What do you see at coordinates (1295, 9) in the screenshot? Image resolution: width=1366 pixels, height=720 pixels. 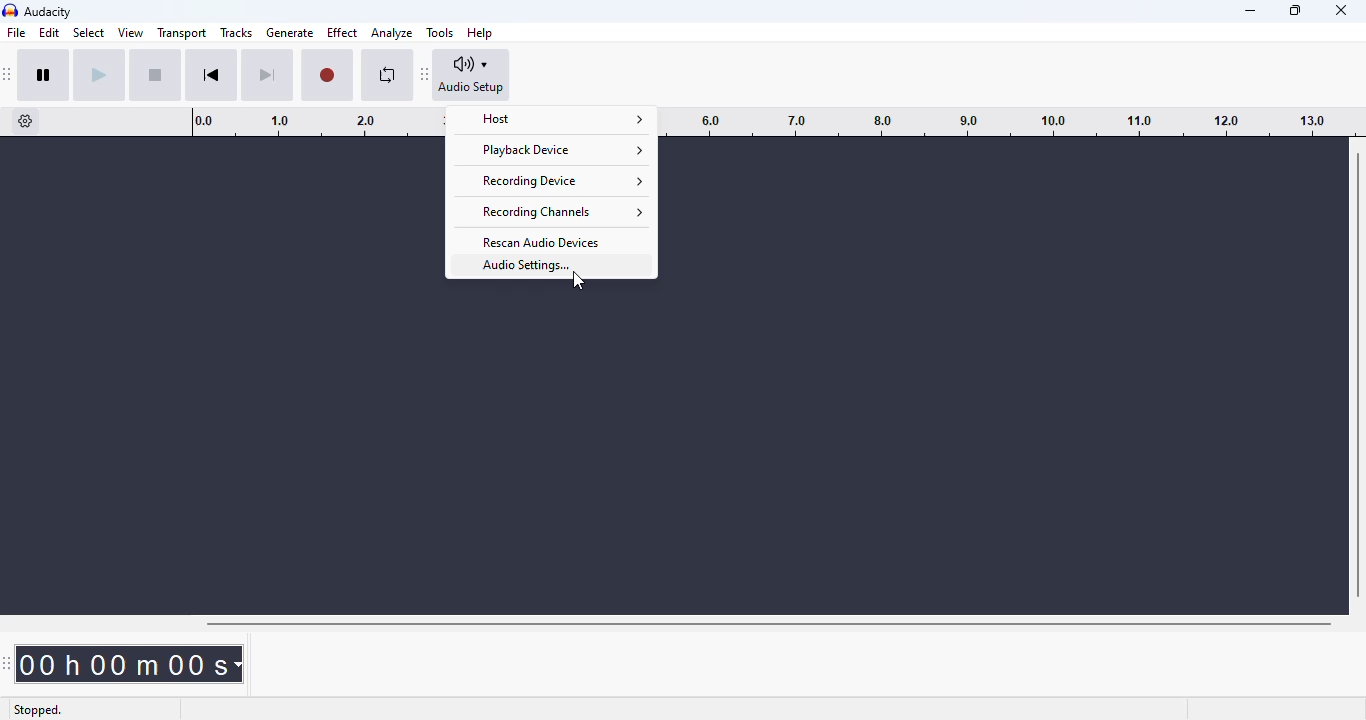 I see `maximize` at bounding box center [1295, 9].